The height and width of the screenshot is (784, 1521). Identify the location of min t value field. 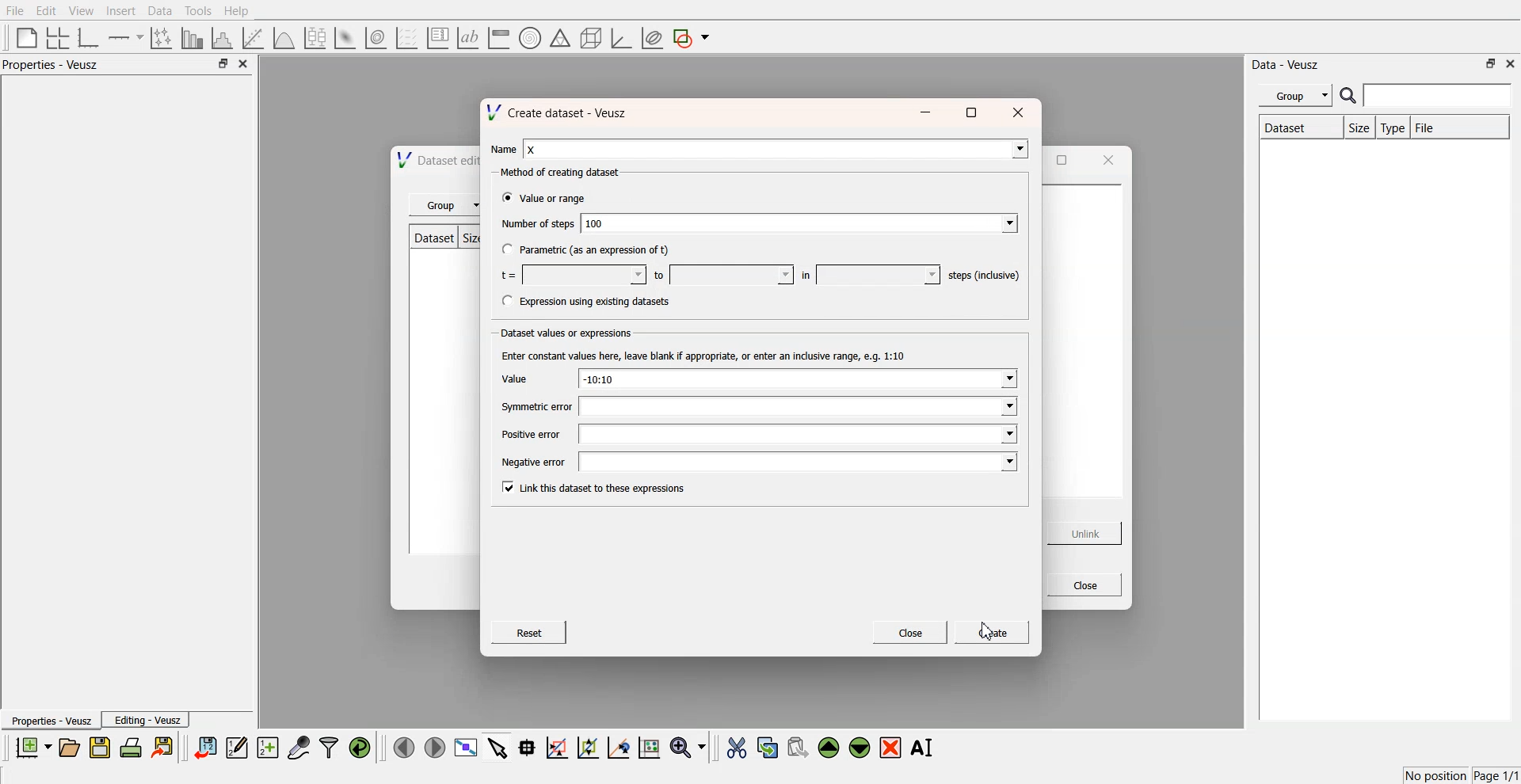
(584, 275).